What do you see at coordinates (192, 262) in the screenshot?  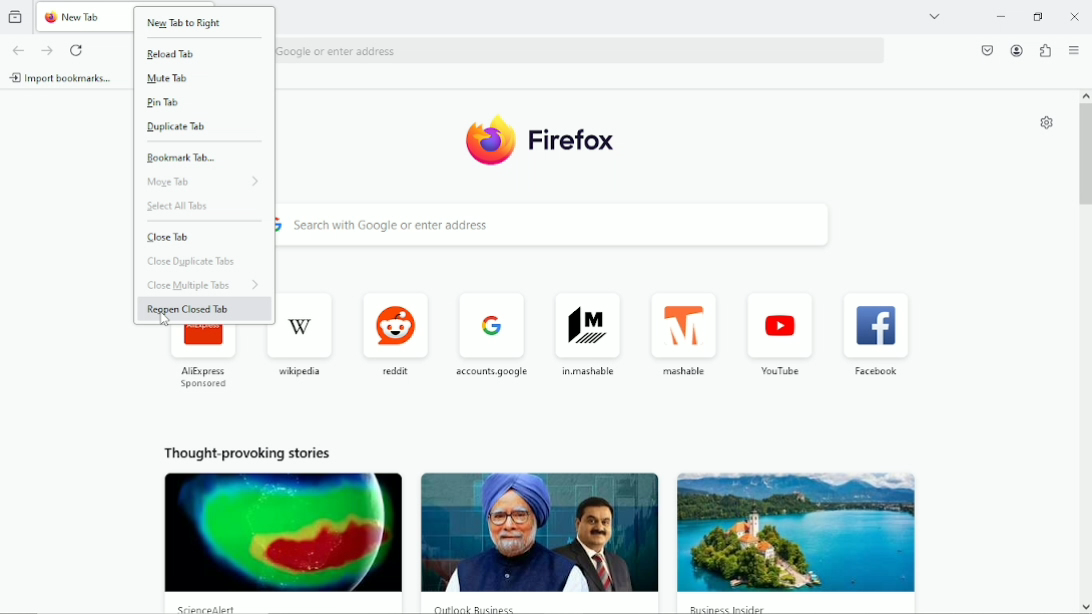 I see `close duplicate tabs` at bounding box center [192, 262].